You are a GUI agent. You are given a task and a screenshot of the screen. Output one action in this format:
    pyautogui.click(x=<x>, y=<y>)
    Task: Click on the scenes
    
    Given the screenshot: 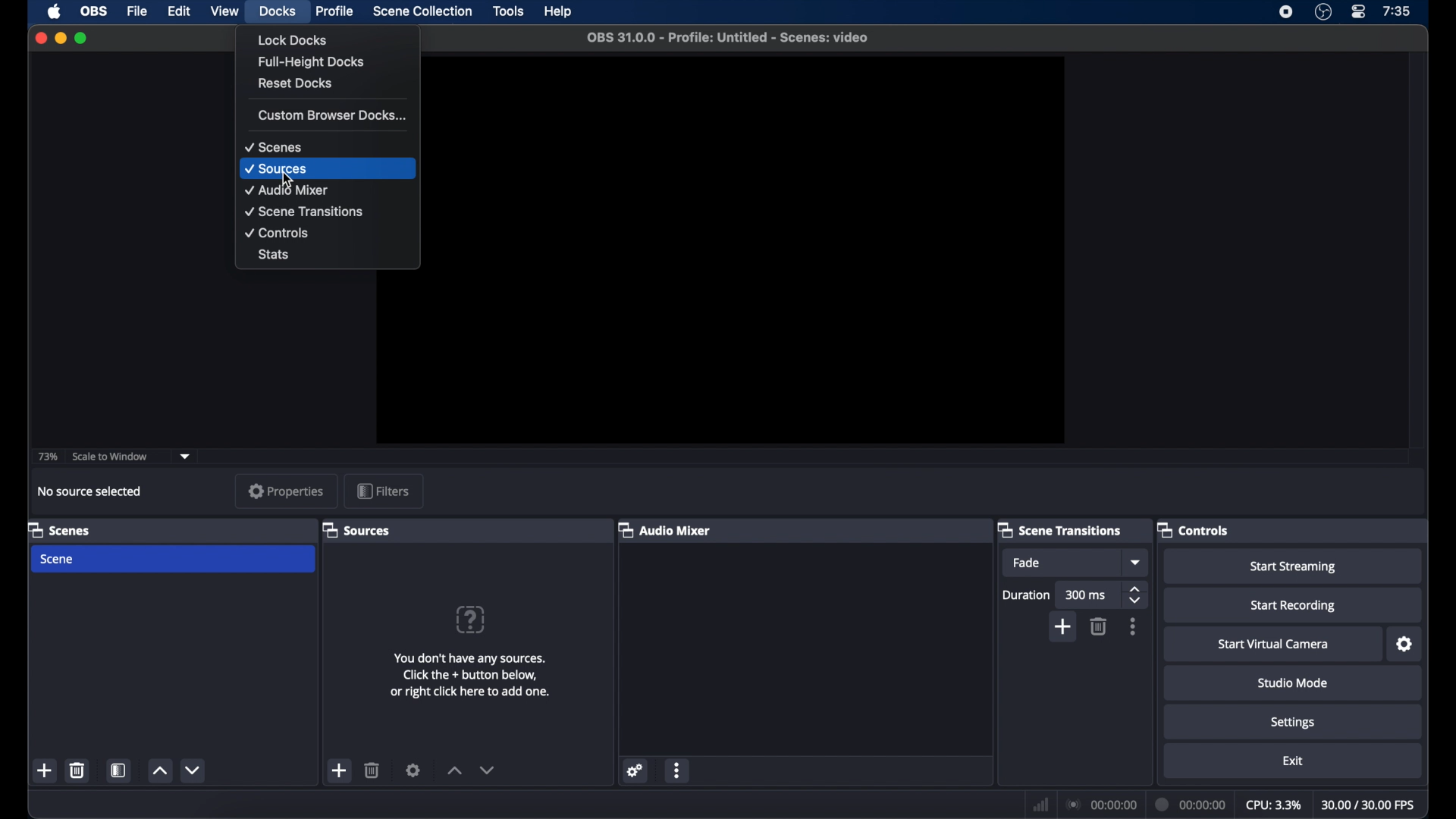 What is the action you would take?
    pyautogui.click(x=59, y=529)
    